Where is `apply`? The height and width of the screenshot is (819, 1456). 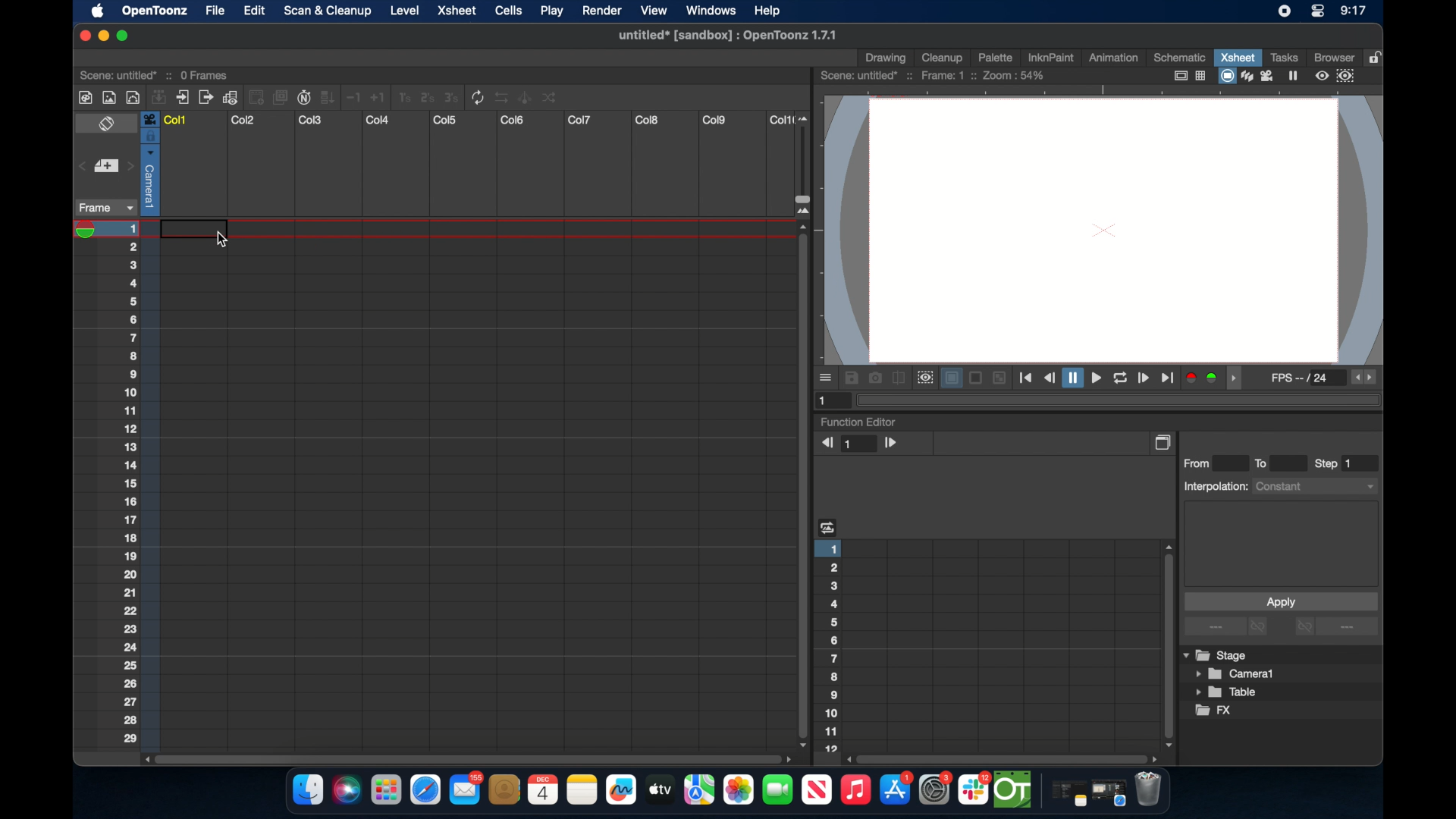
apply is located at coordinates (1280, 601).